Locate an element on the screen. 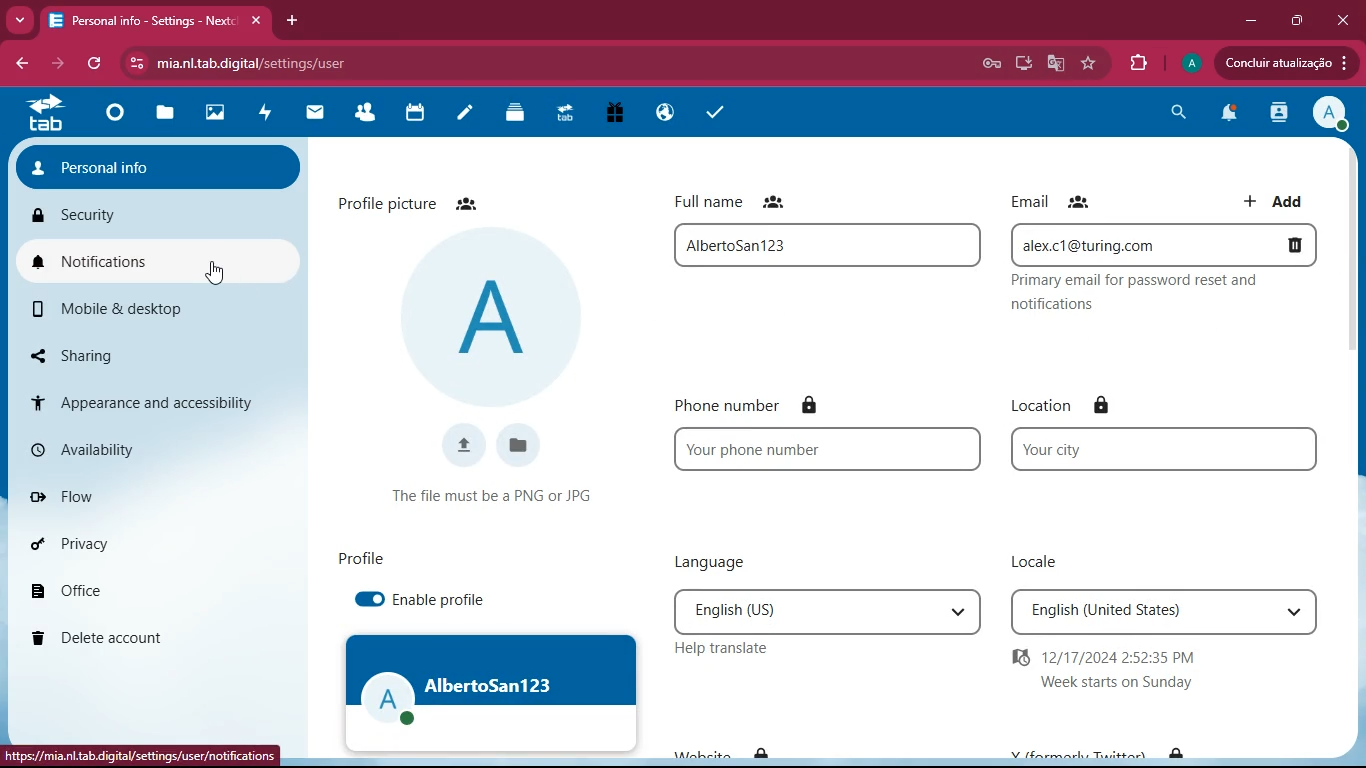  tasks is located at coordinates (715, 110).